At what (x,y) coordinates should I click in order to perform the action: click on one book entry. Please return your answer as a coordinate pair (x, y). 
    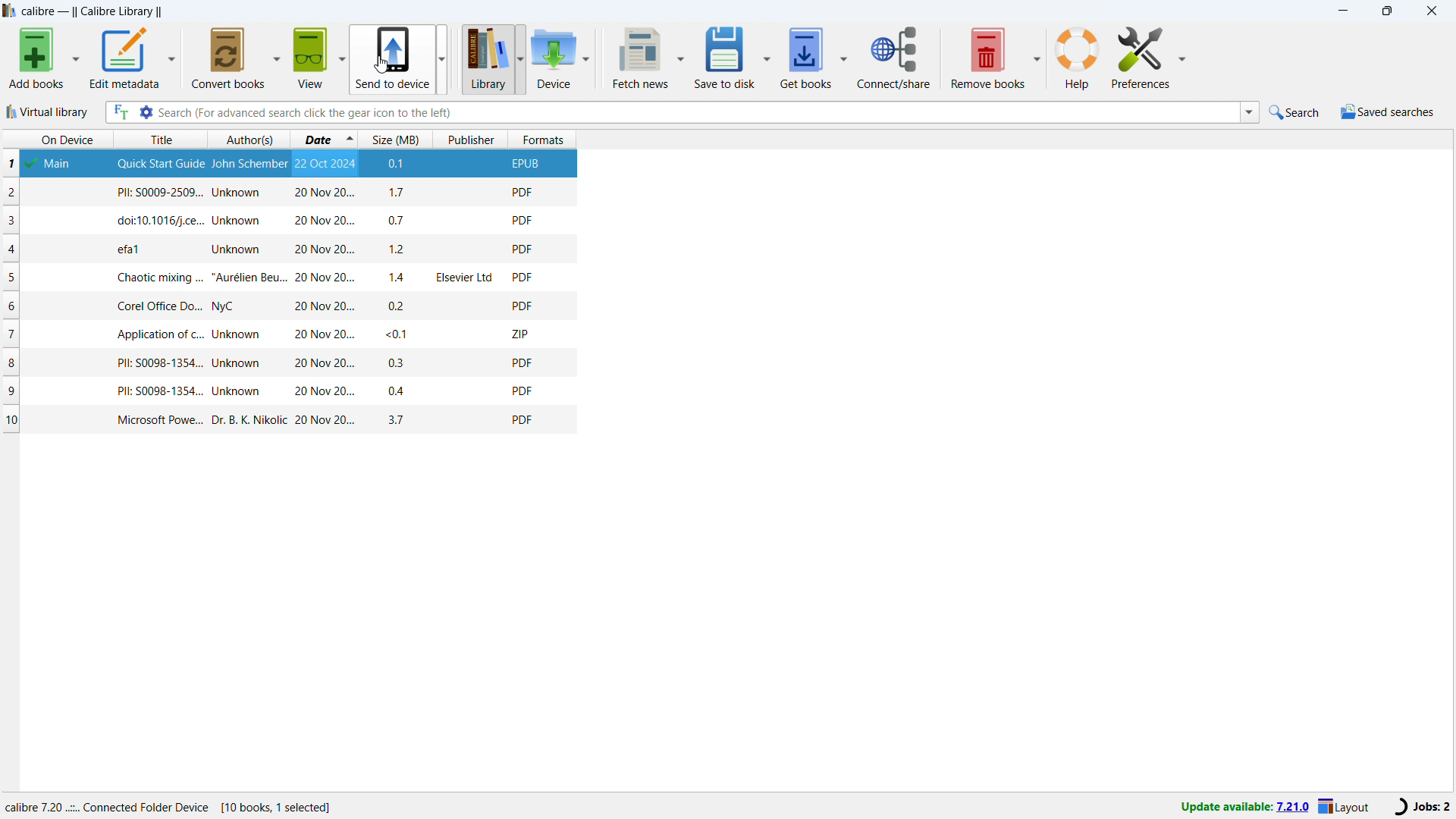
    Looking at the image, I should click on (283, 249).